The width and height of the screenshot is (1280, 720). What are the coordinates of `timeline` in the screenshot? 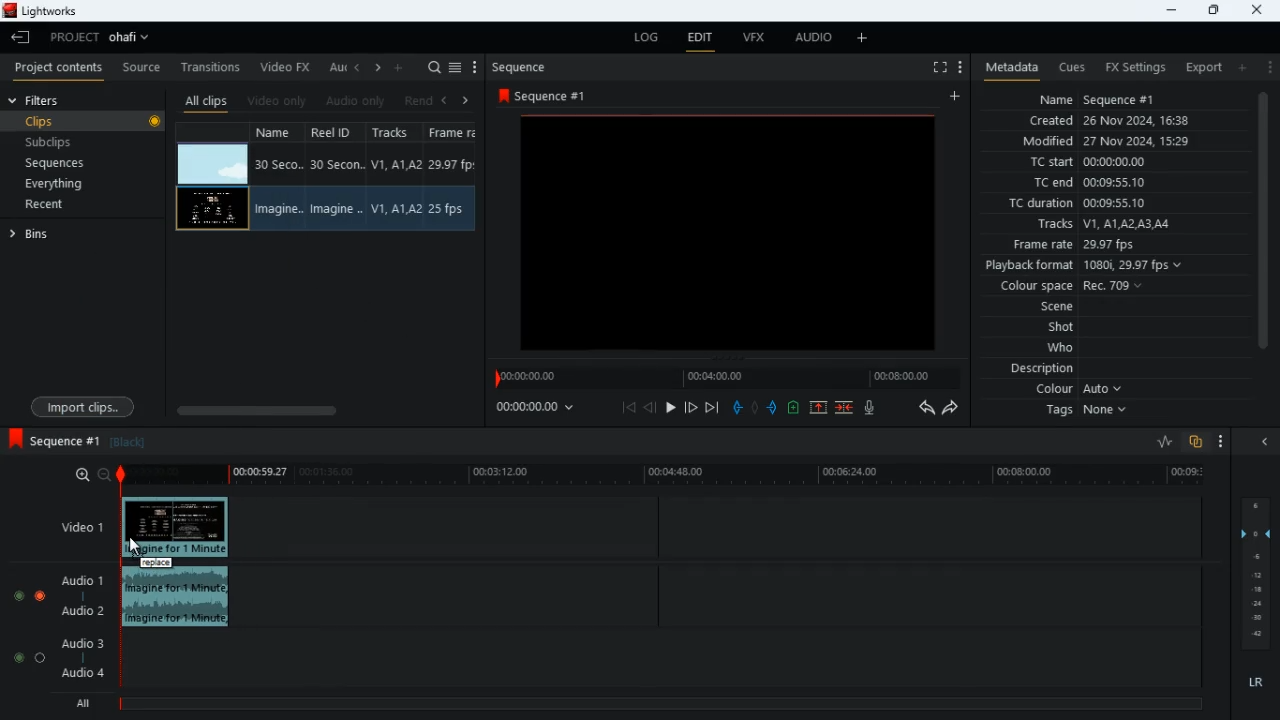 It's located at (668, 476).